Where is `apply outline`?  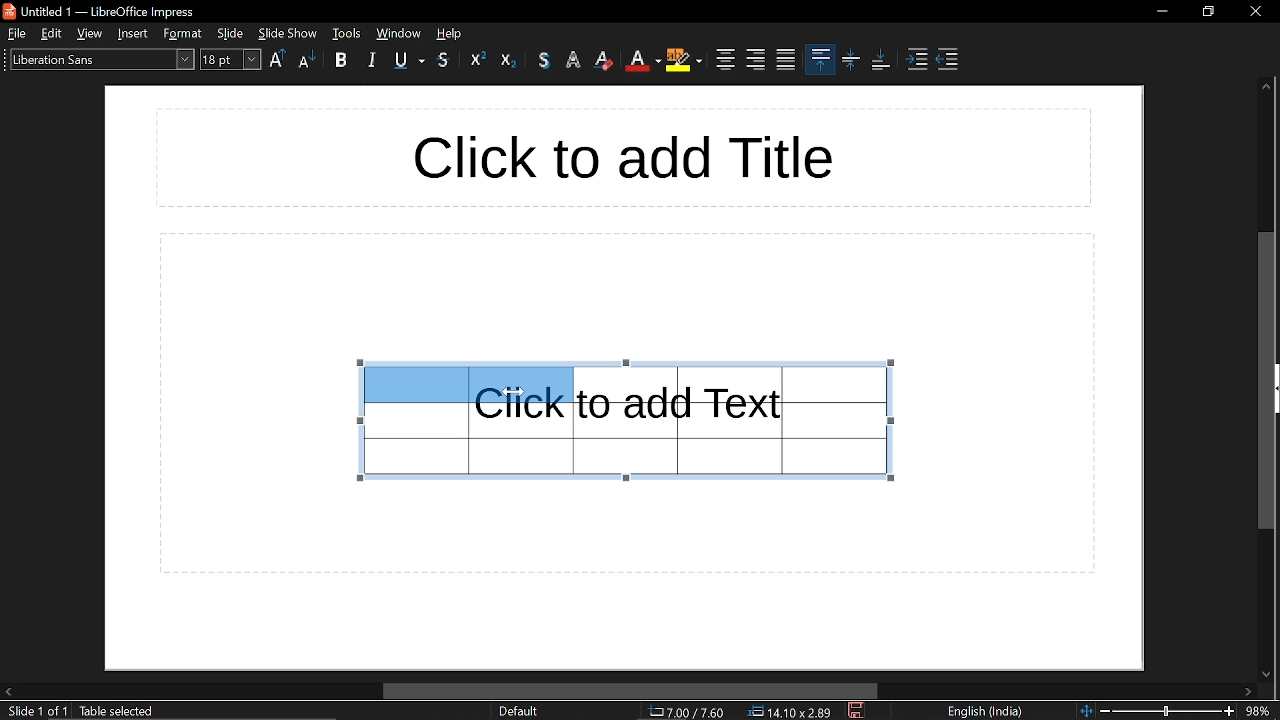
apply outline is located at coordinates (576, 61).